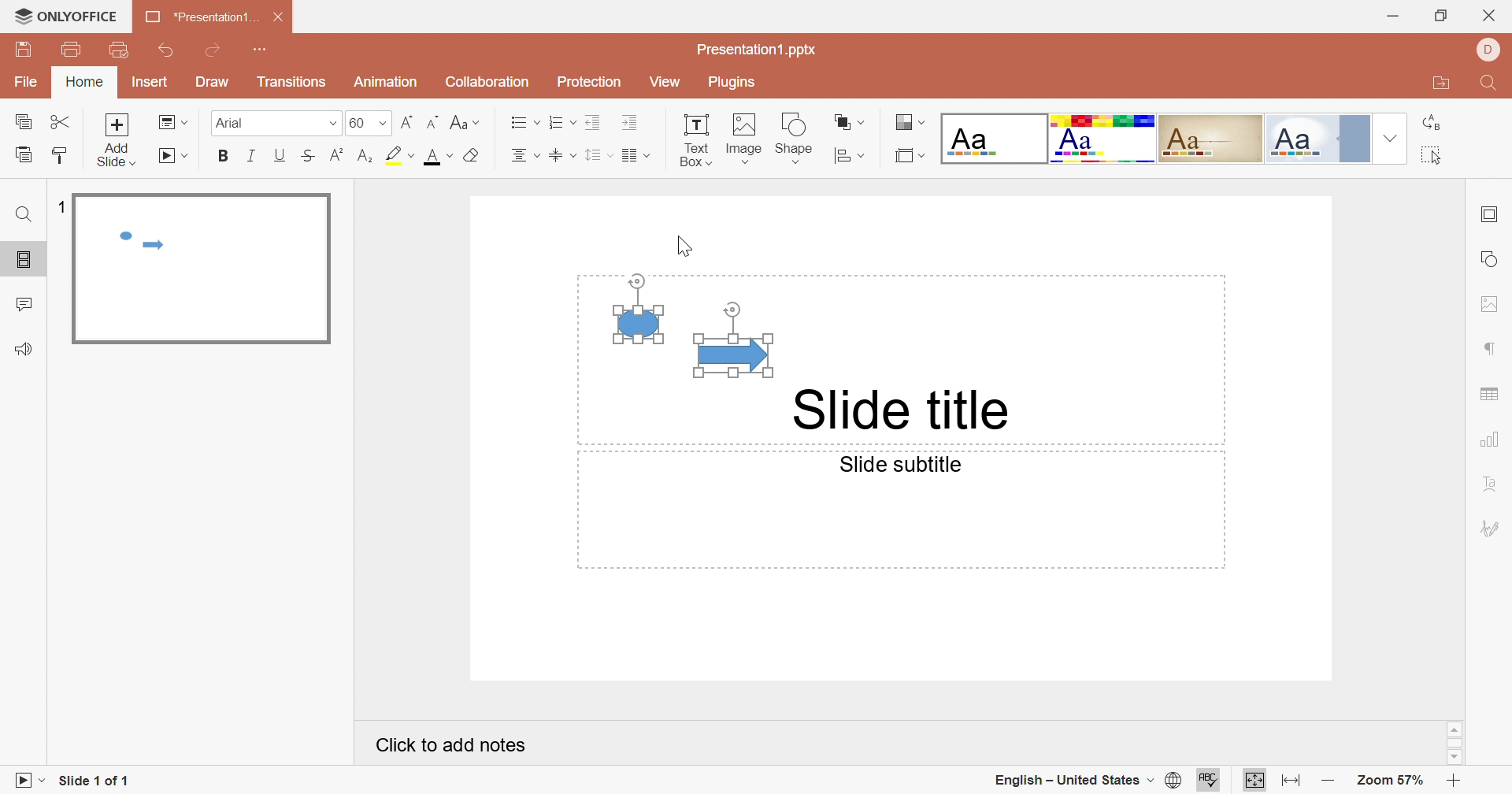 The image size is (1512, 794). What do you see at coordinates (847, 121) in the screenshot?
I see `Arrange shape` at bounding box center [847, 121].